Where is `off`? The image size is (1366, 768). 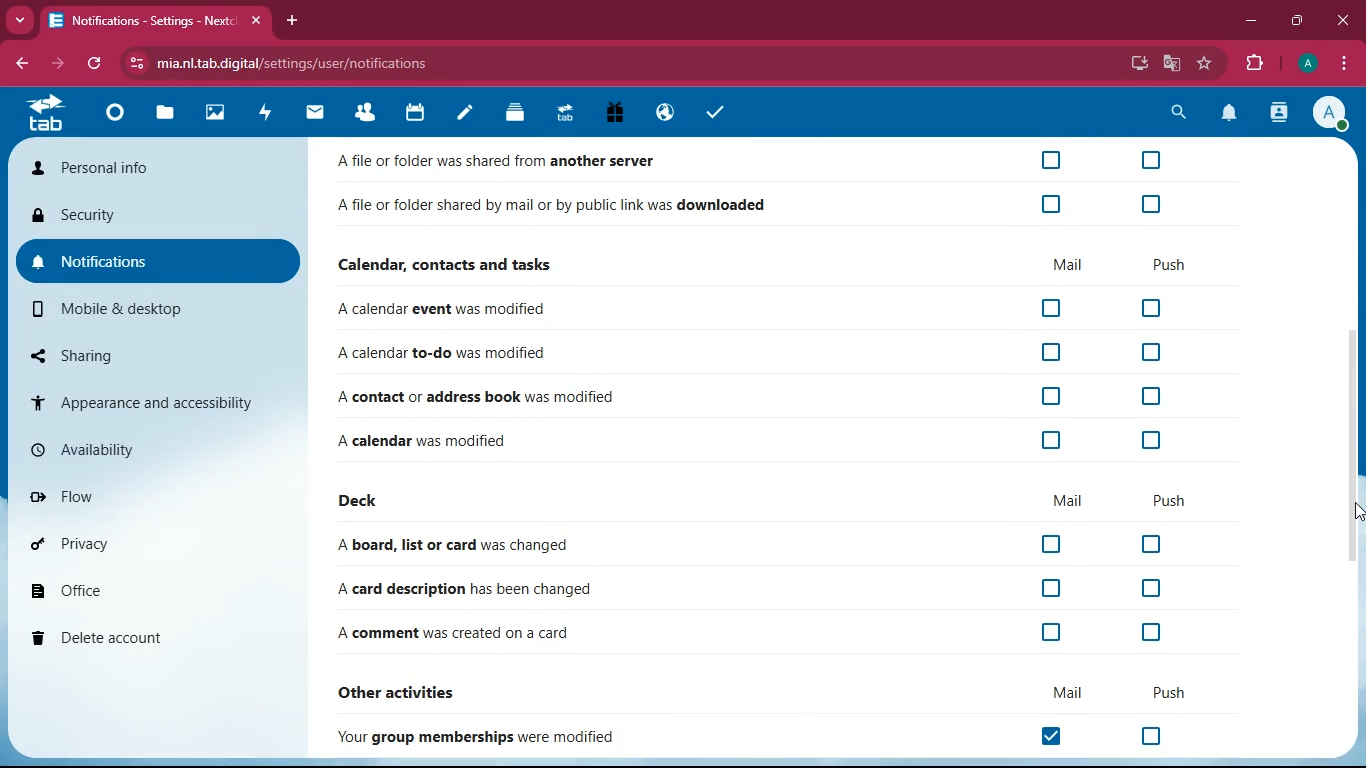
off is located at coordinates (1146, 544).